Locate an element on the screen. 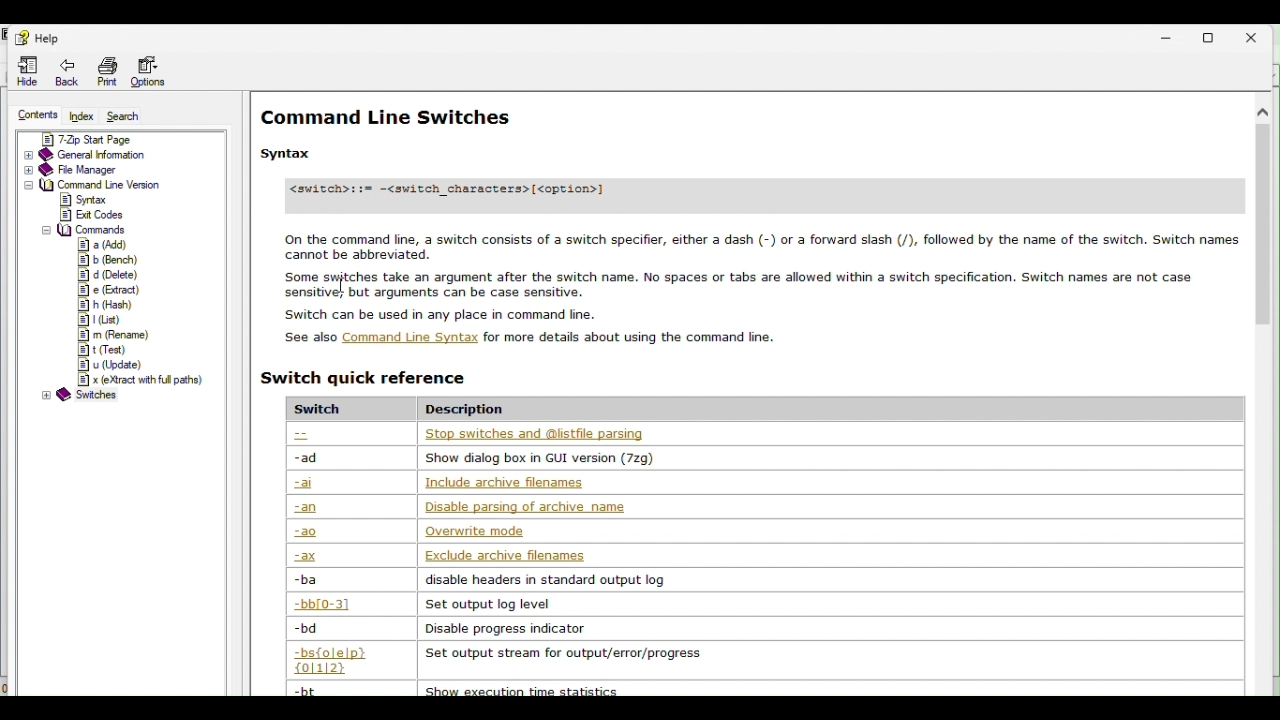 This screenshot has width=1280, height=720. -an is located at coordinates (315, 509).